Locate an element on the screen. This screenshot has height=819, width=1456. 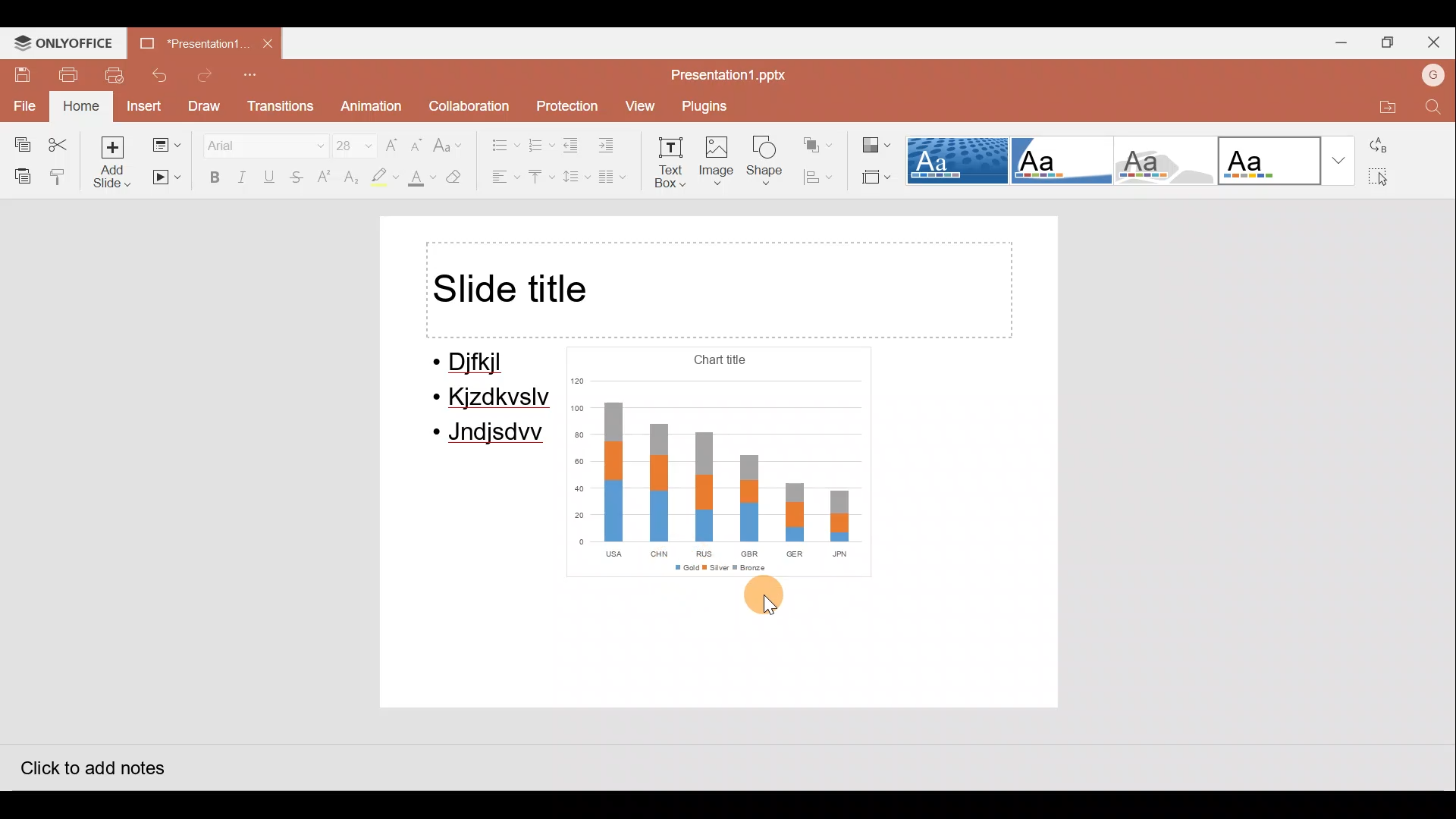
Increase font size is located at coordinates (393, 140).